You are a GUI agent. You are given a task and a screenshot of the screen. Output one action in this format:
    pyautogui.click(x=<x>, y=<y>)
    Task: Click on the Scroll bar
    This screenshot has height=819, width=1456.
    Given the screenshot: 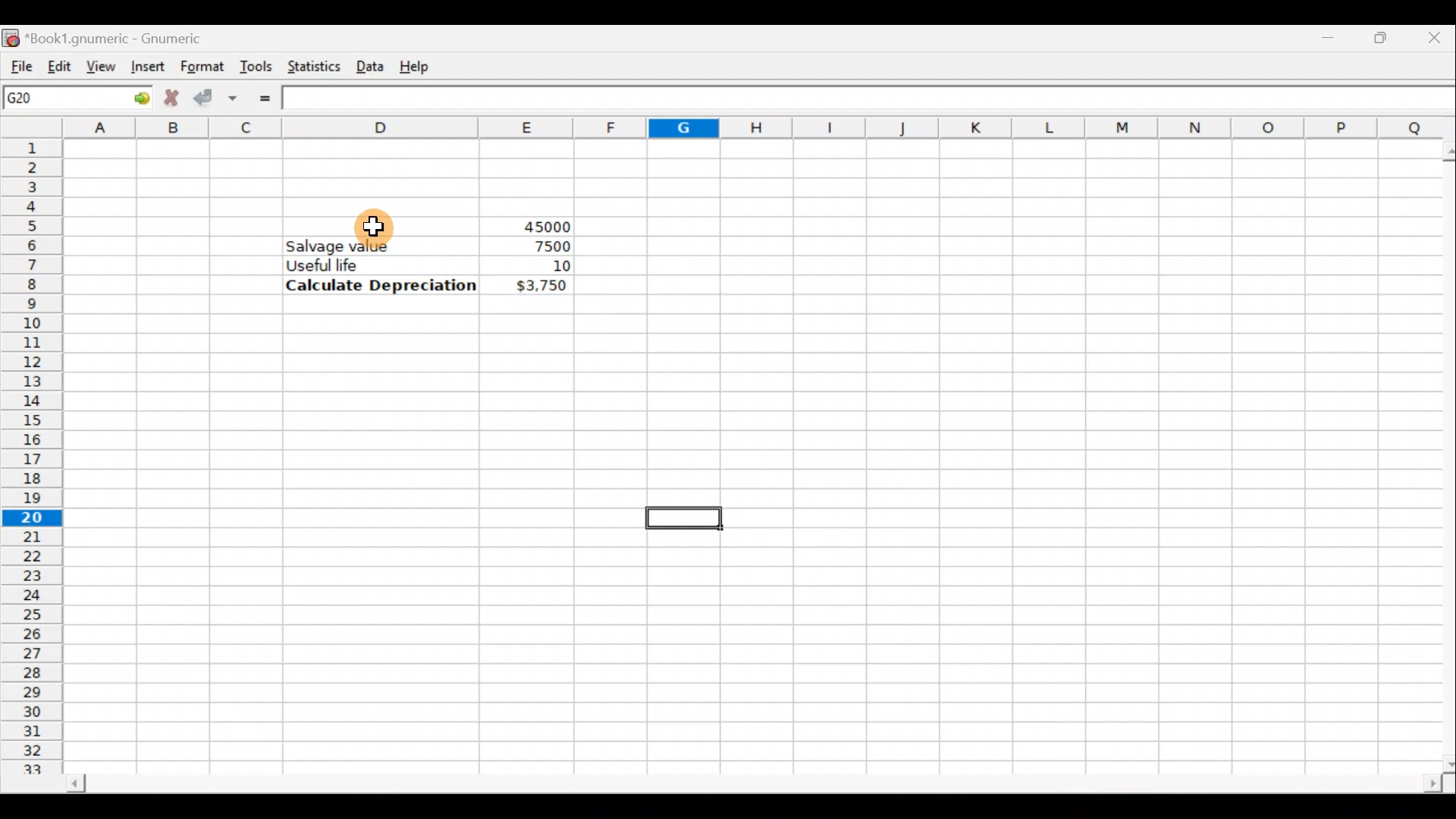 What is the action you would take?
    pyautogui.click(x=752, y=786)
    